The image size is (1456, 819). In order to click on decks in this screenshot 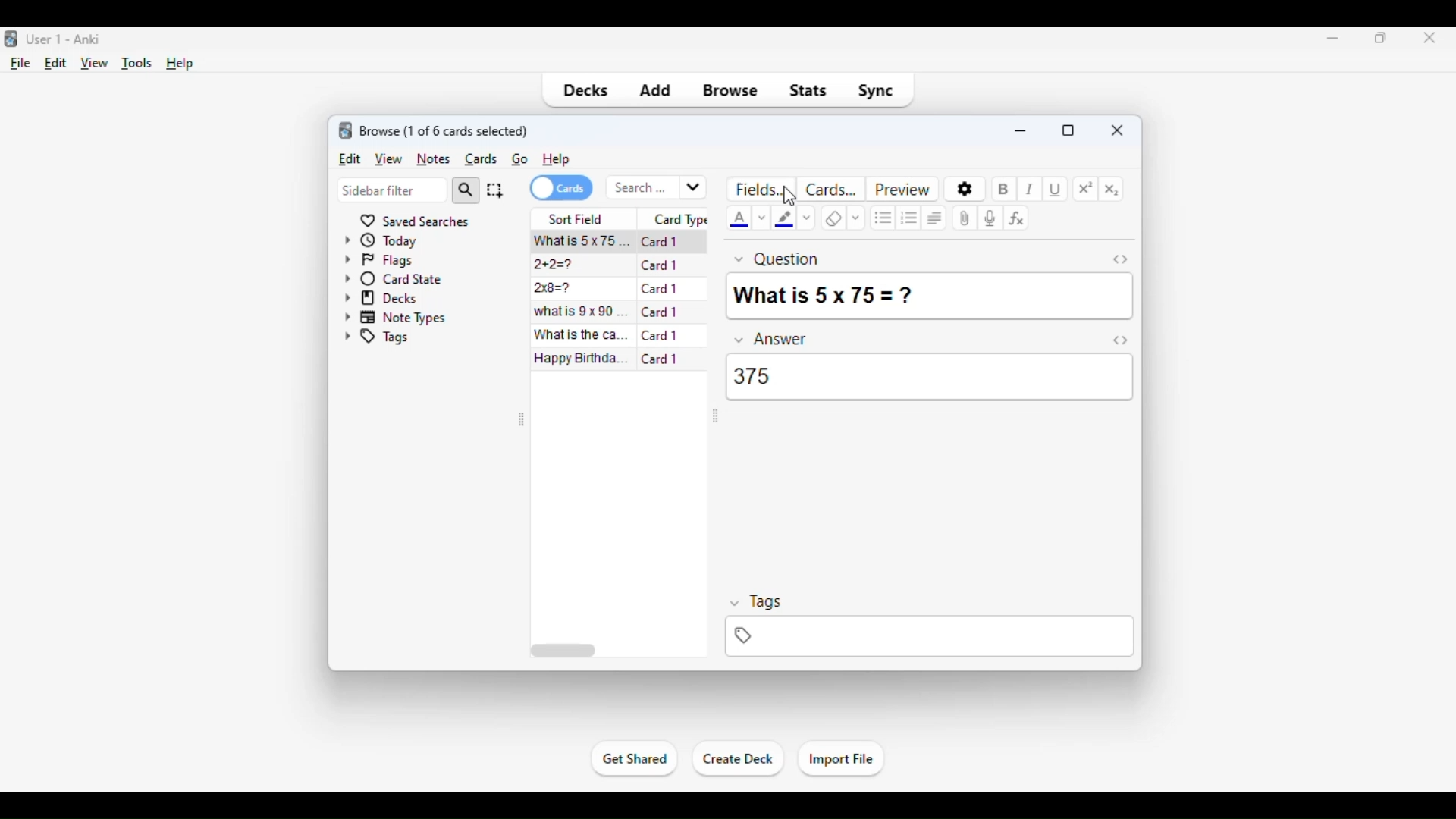, I will do `click(381, 297)`.